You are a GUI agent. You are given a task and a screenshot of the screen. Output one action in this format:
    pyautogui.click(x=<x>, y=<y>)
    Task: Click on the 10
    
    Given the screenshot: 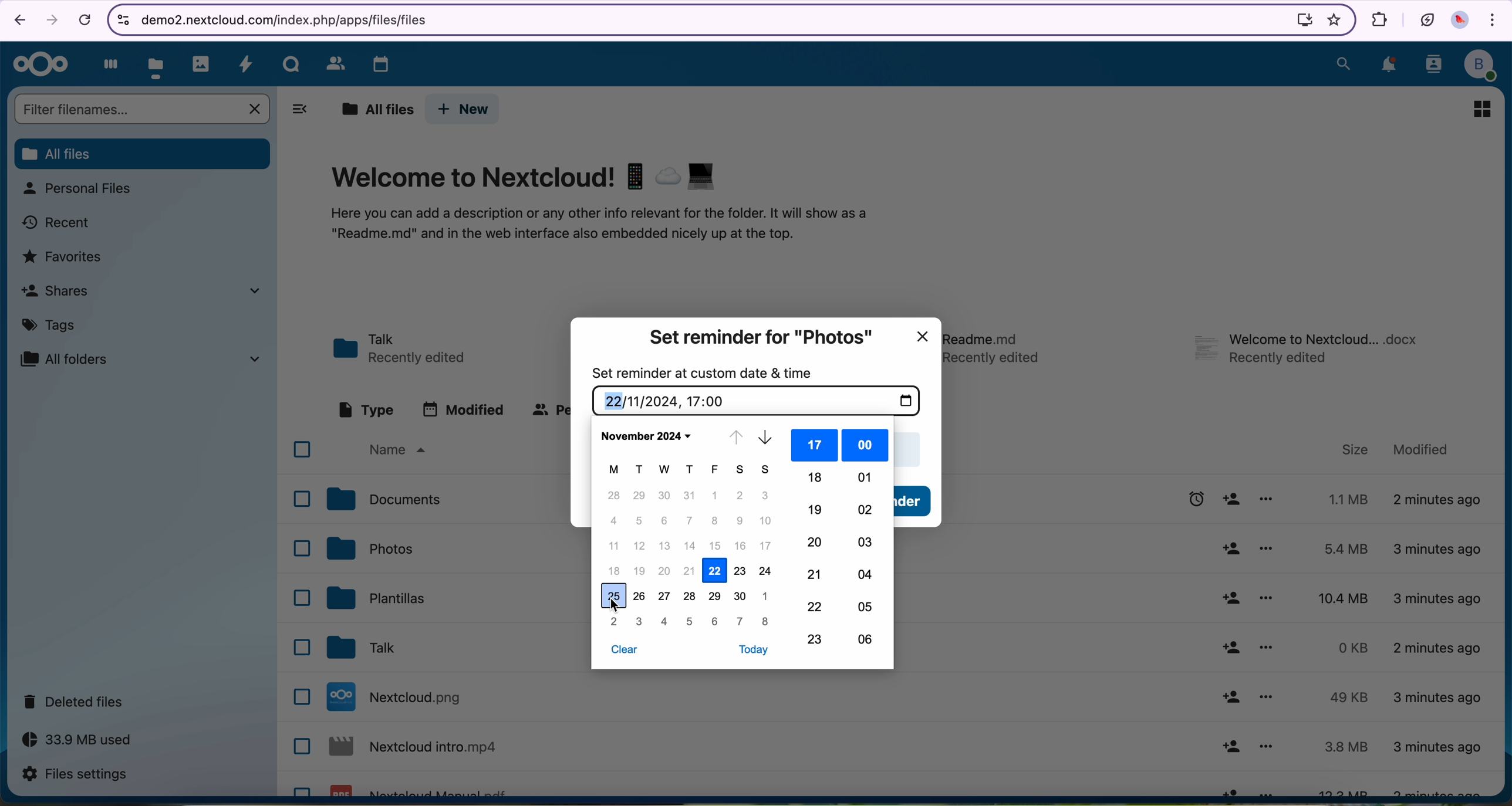 What is the action you would take?
    pyautogui.click(x=767, y=521)
    